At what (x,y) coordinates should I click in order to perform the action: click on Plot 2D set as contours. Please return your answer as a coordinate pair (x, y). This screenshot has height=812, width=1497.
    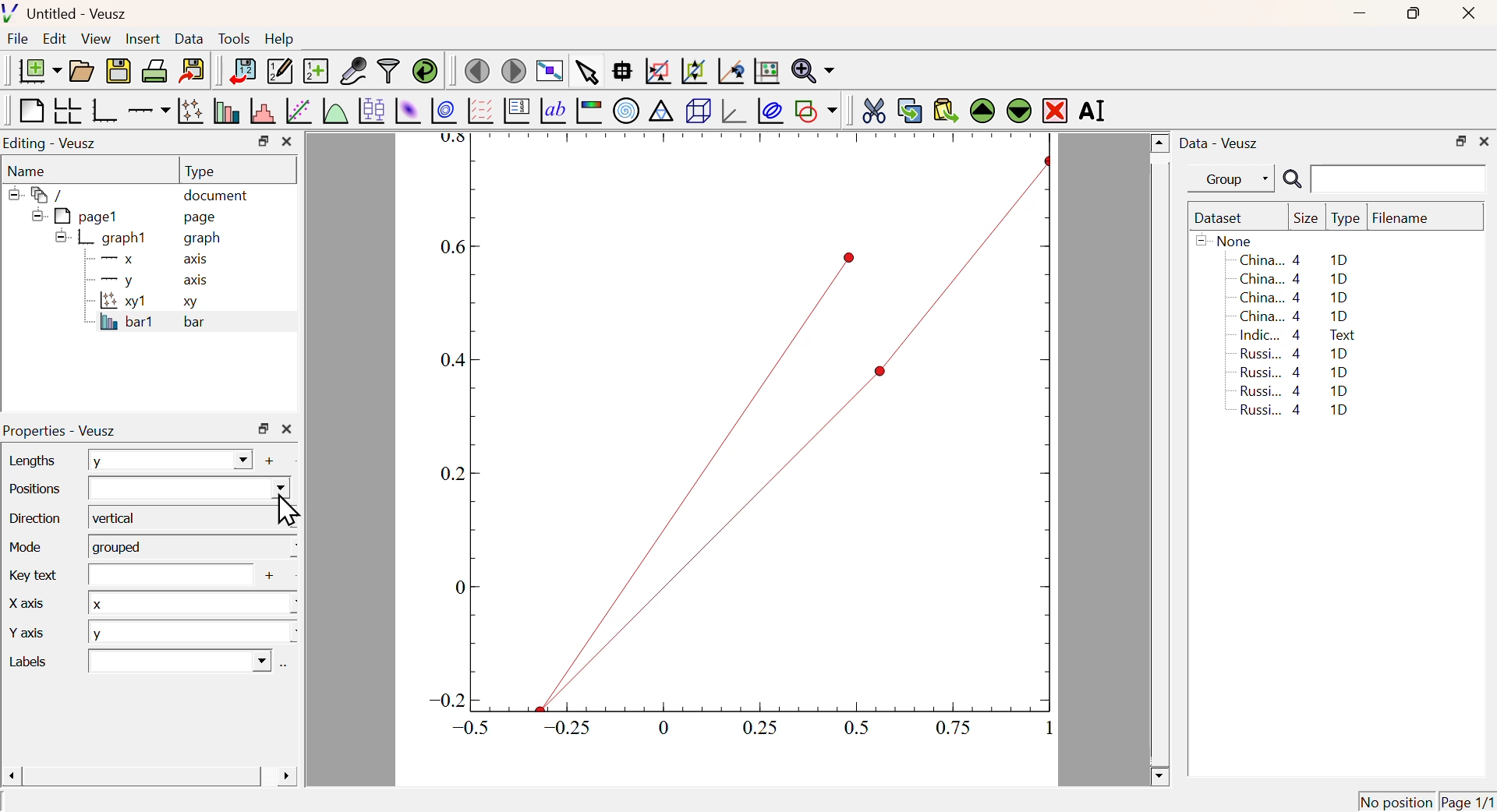
    Looking at the image, I should click on (444, 111).